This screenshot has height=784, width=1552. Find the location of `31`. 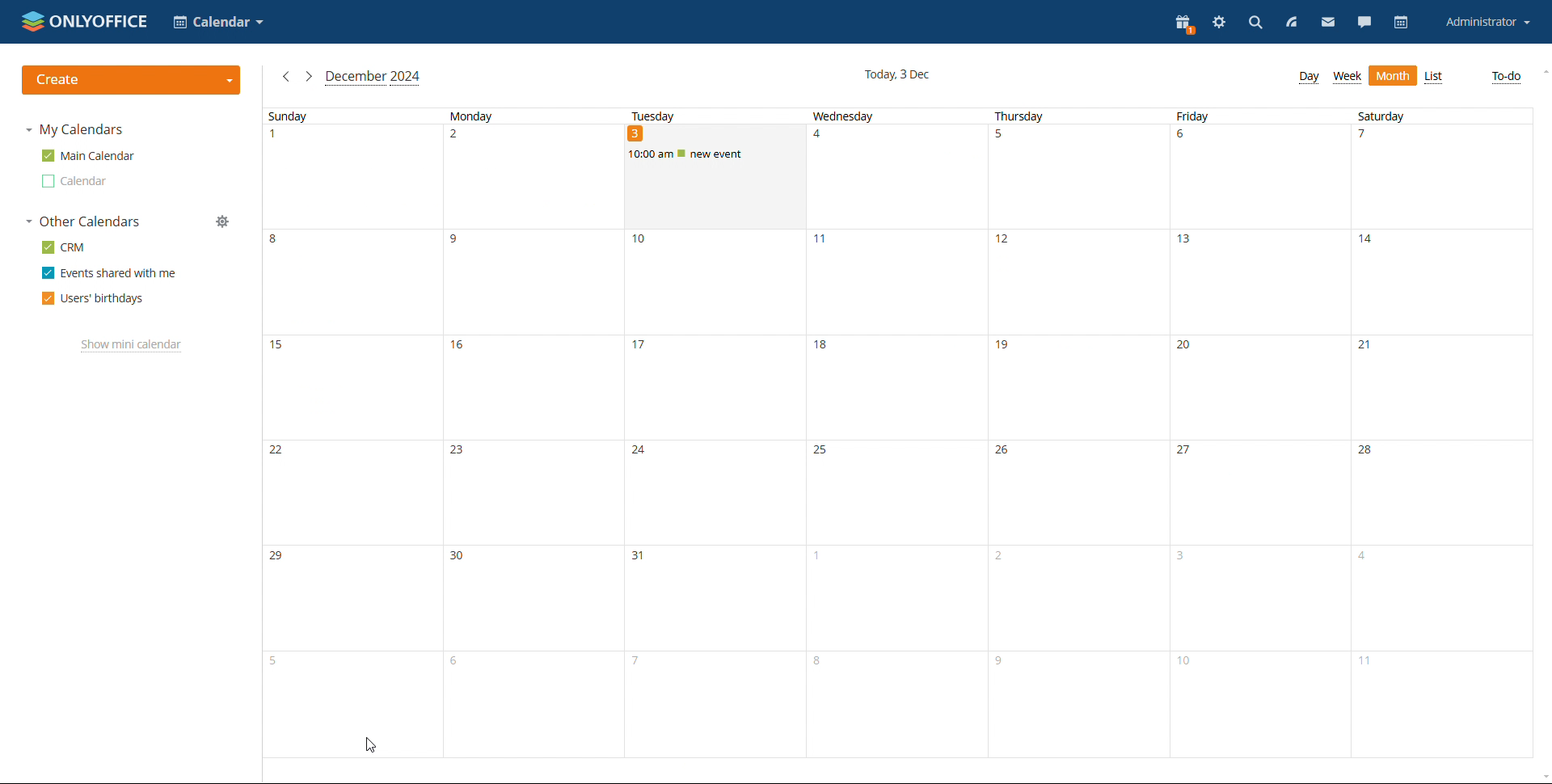

31 is located at coordinates (711, 599).